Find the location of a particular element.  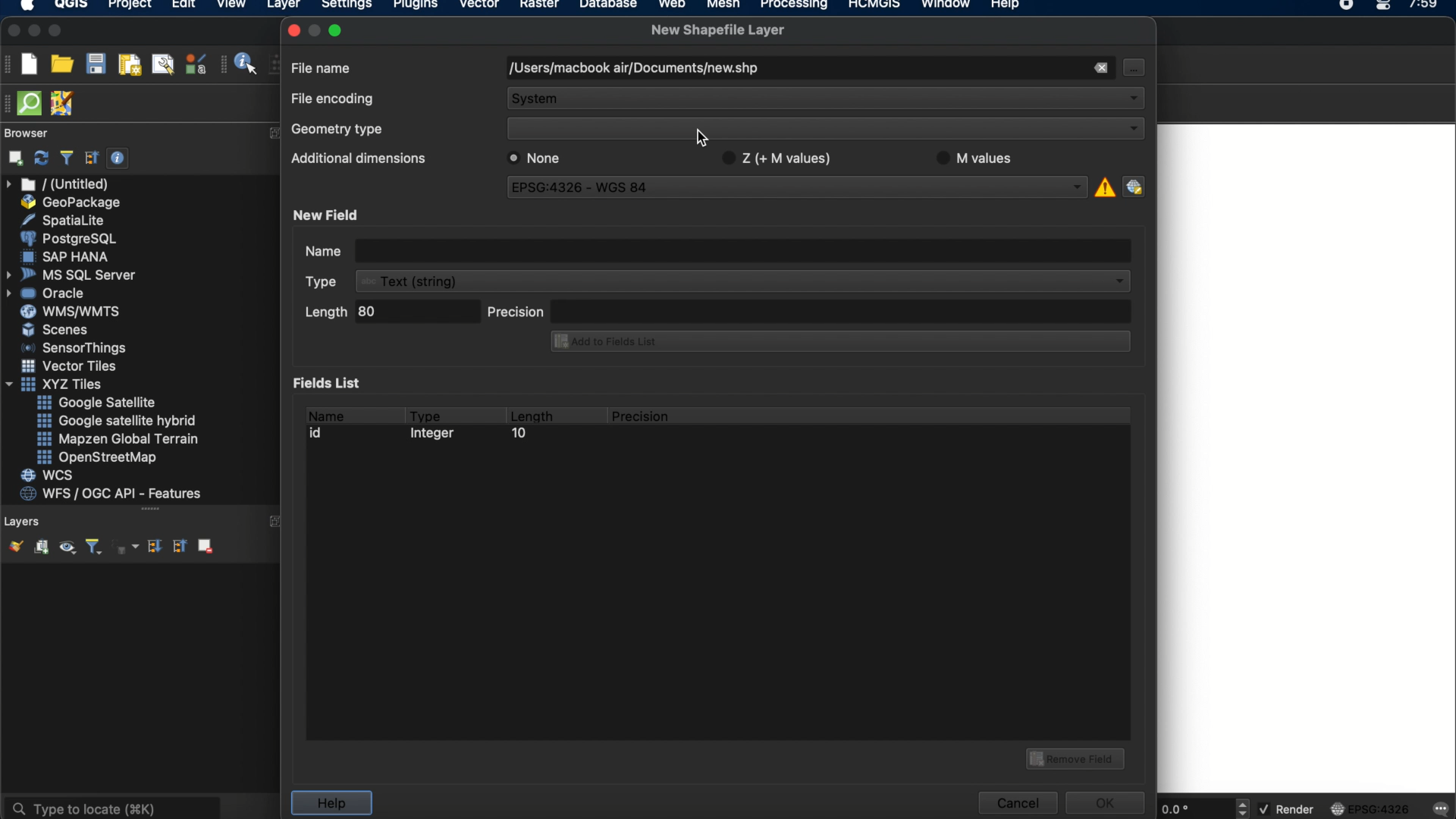

save project is located at coordinates (95, 64).